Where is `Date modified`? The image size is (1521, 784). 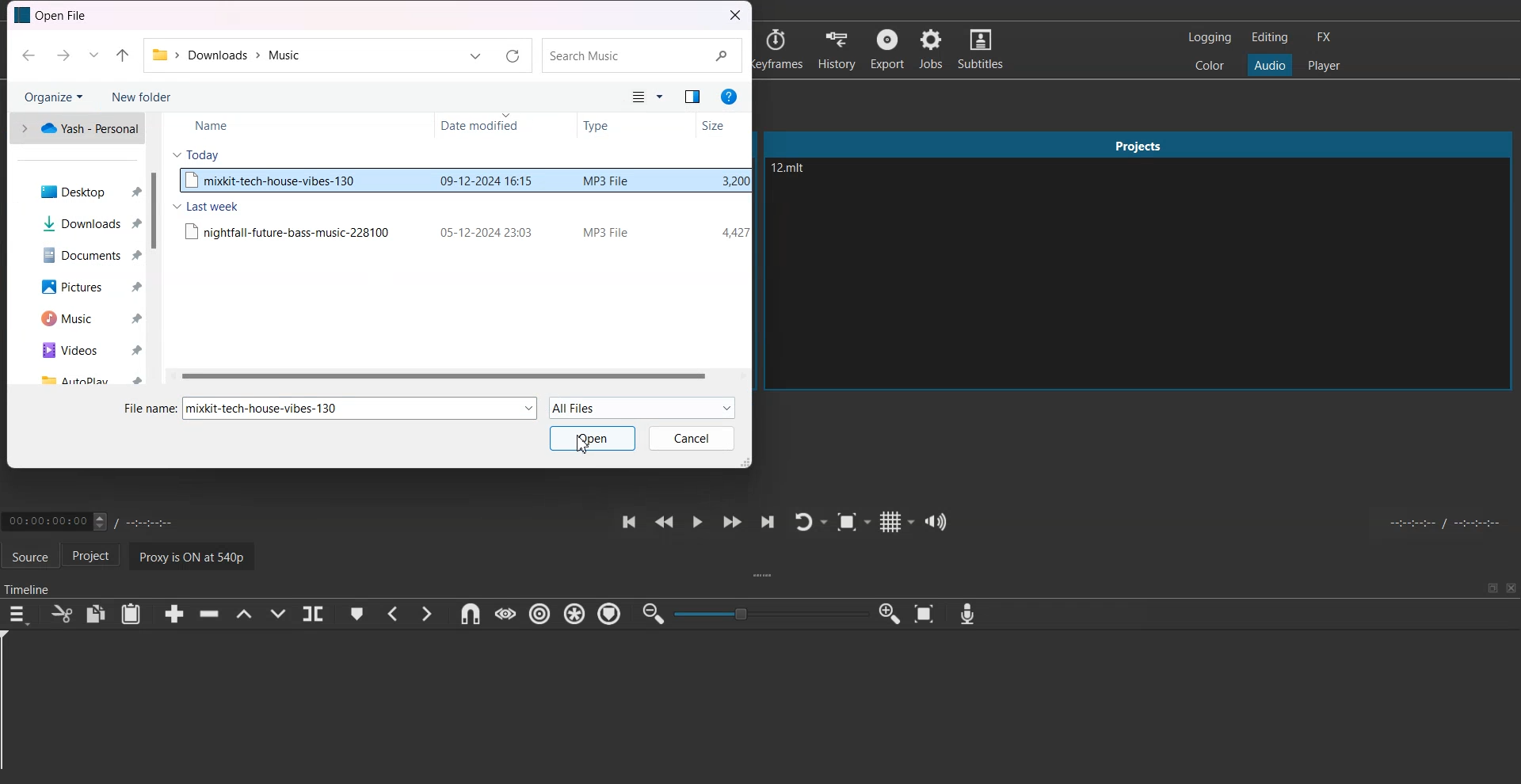 Date modified is located at coordinates (500, 127).